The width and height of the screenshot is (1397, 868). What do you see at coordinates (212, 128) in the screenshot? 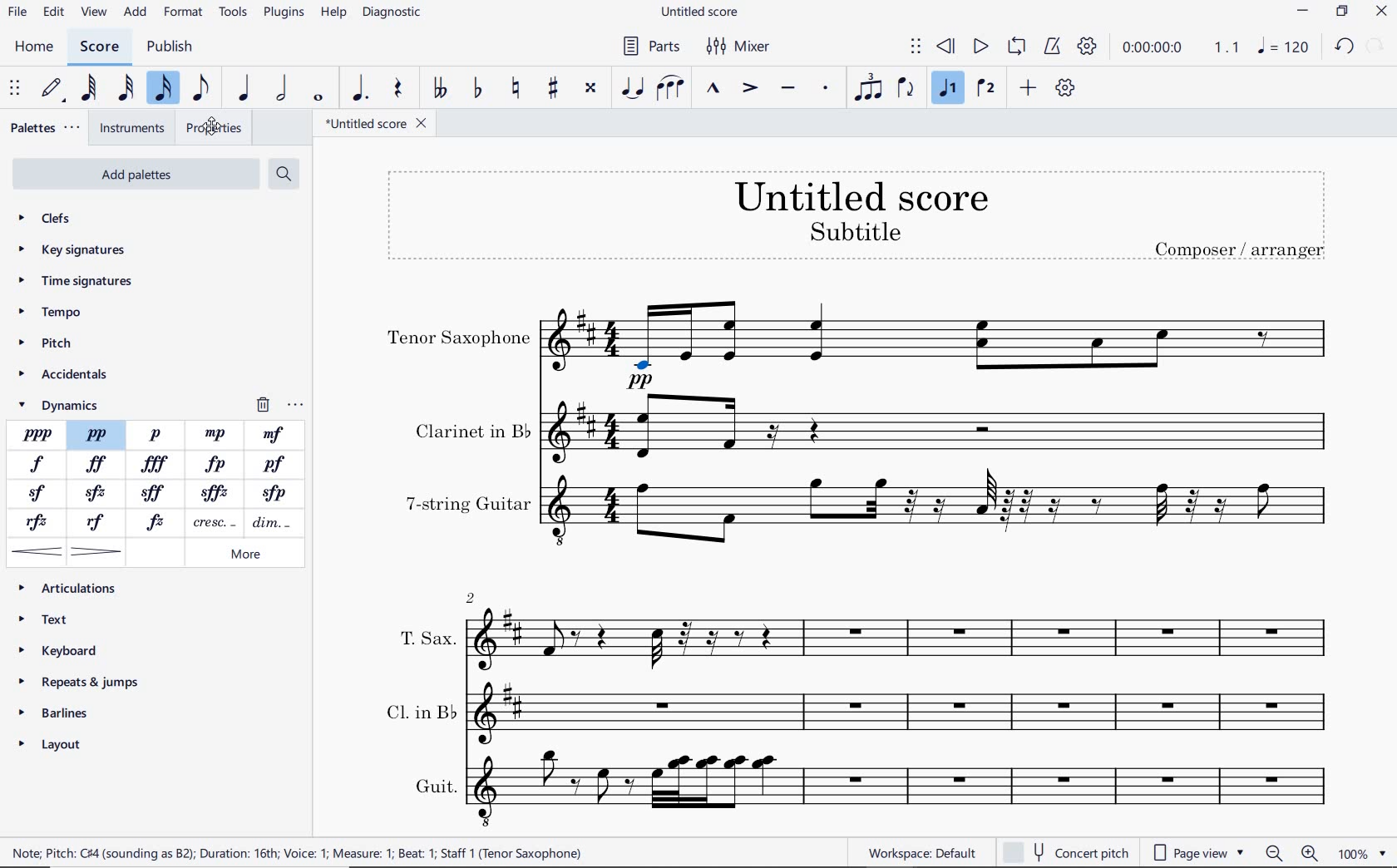
I see `properties` at bounding box center [212, 128].